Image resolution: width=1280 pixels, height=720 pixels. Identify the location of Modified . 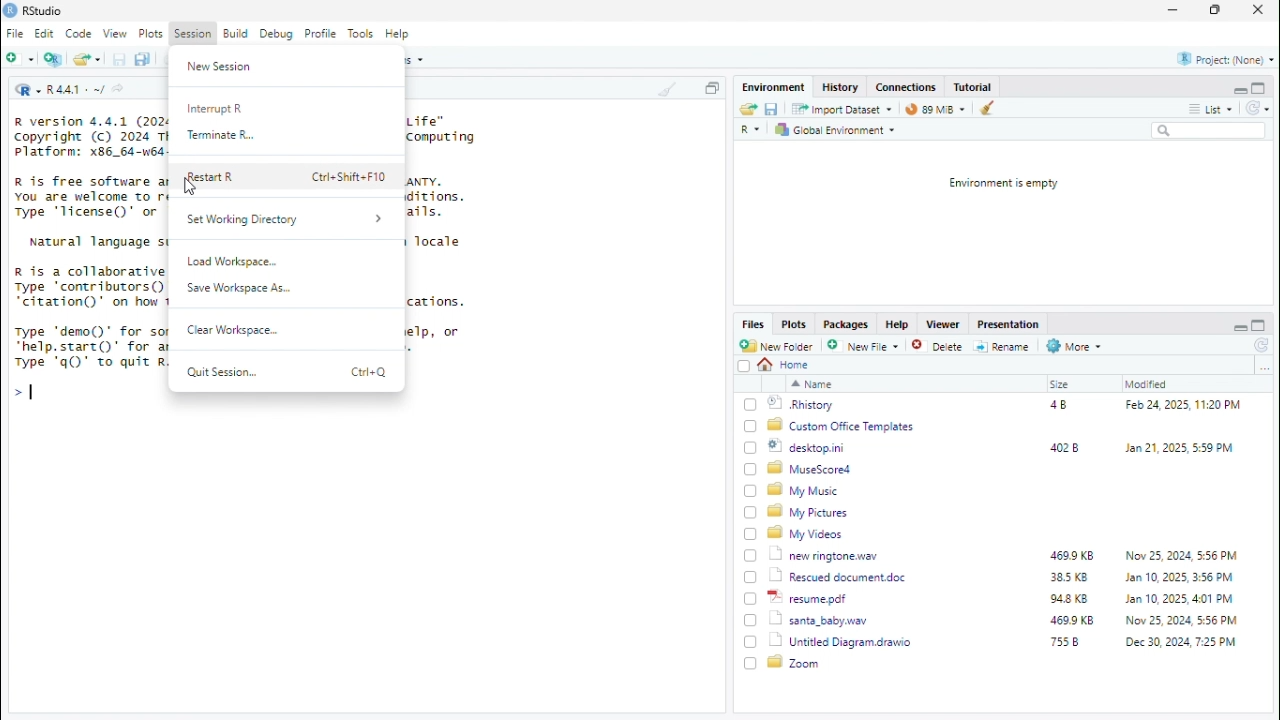
(1147, 384).